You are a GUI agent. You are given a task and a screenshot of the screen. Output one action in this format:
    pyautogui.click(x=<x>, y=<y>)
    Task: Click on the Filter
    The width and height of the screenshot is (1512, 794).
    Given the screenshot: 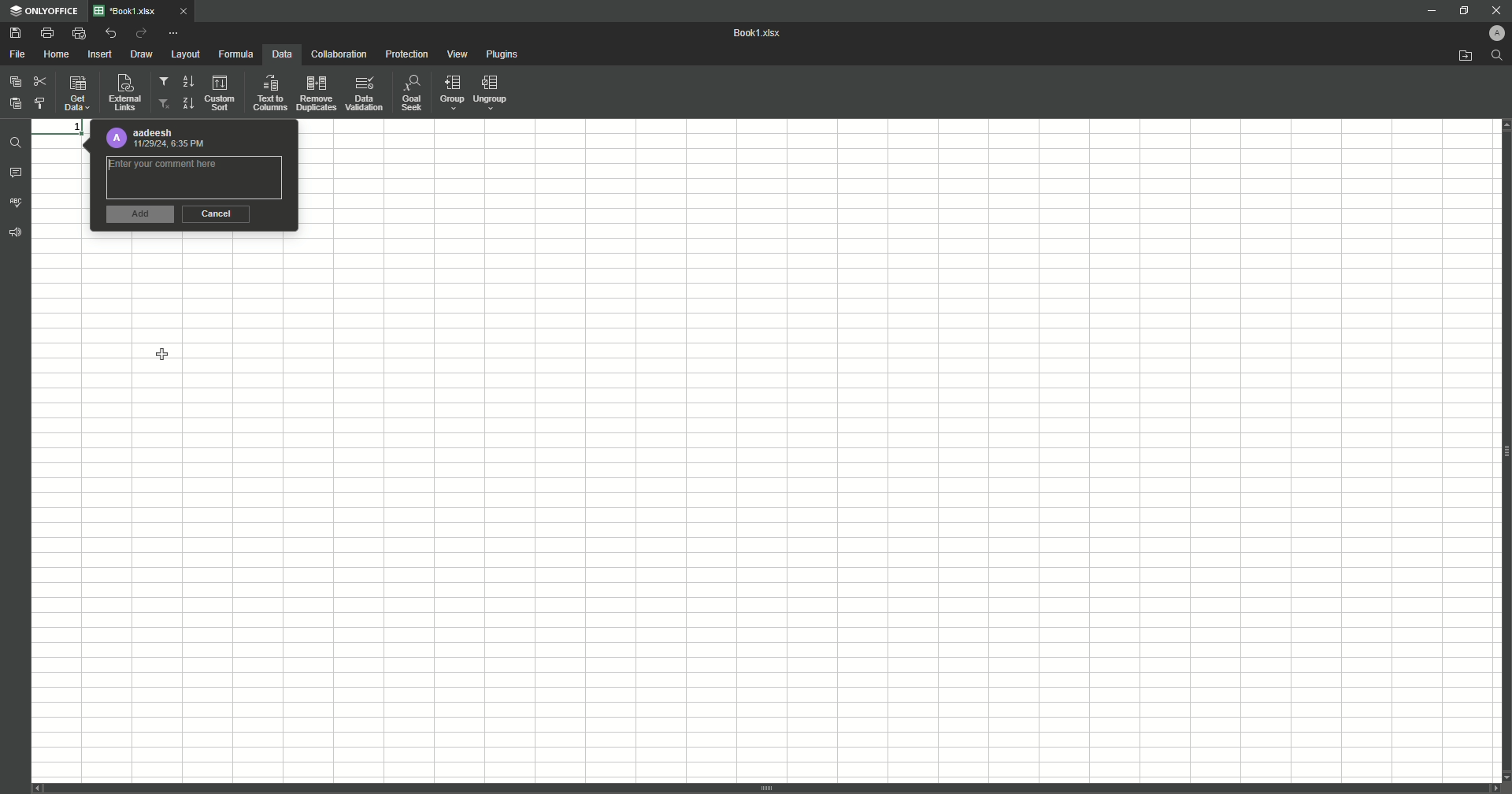 What is the action you would take?
    pyautogui.click(x=165, y=83)
    